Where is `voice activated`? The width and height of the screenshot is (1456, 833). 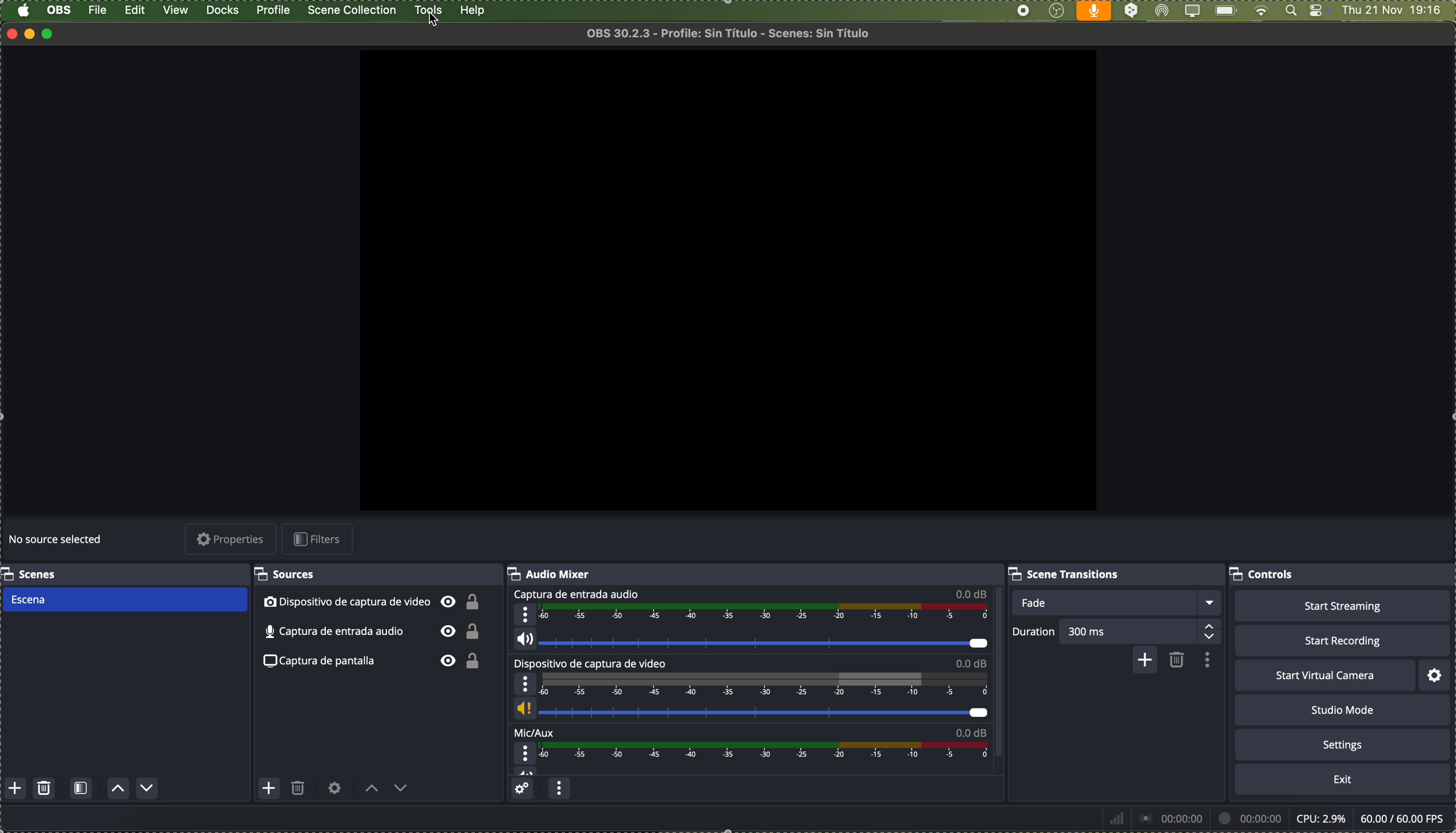
voice activated is located at coordinates (1094, 11).